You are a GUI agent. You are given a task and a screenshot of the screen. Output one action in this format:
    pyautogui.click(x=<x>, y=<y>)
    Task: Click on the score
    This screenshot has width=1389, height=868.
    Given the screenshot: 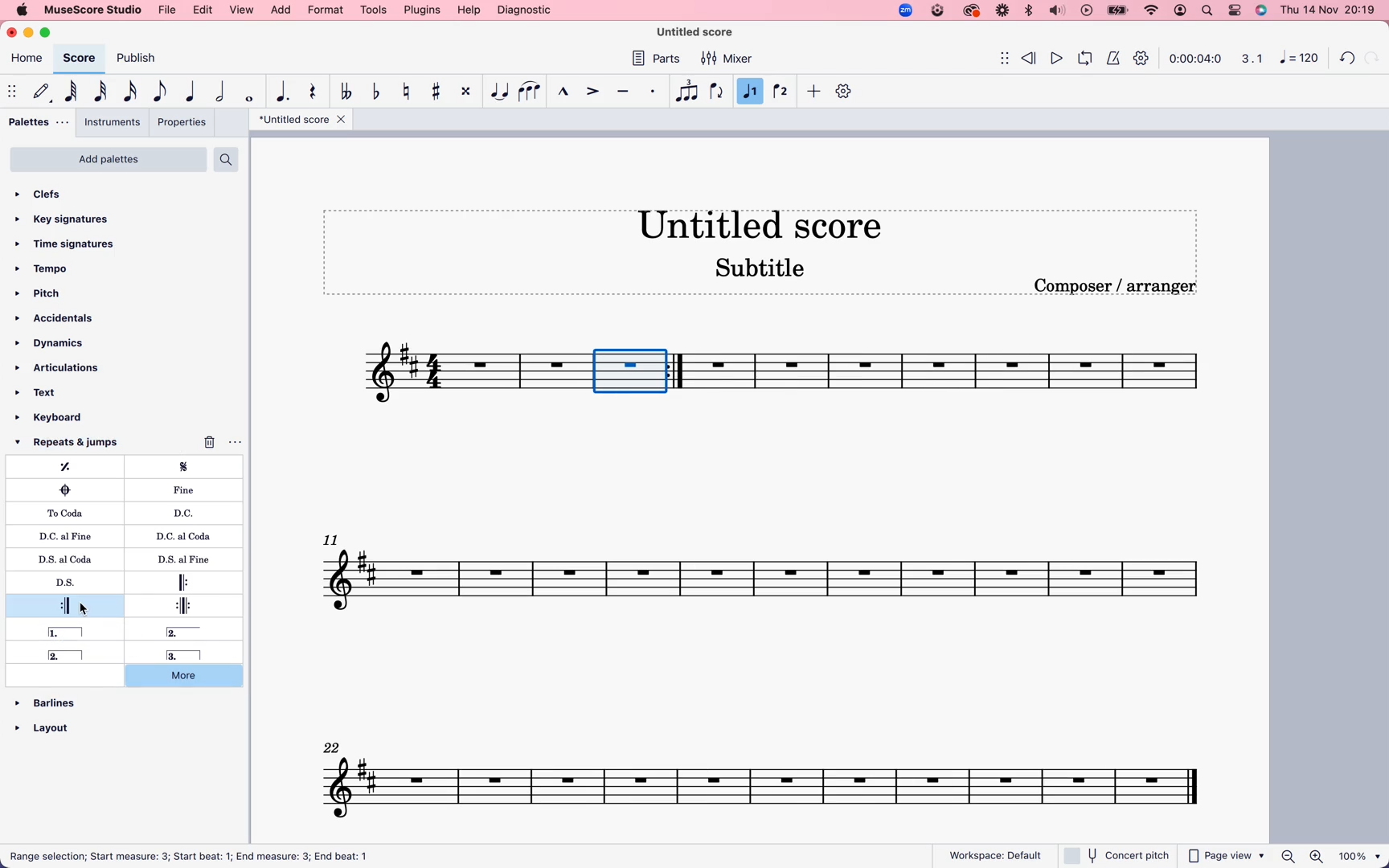 What is the action you would take?
    pyautogui.click(x=768, y=570)
    